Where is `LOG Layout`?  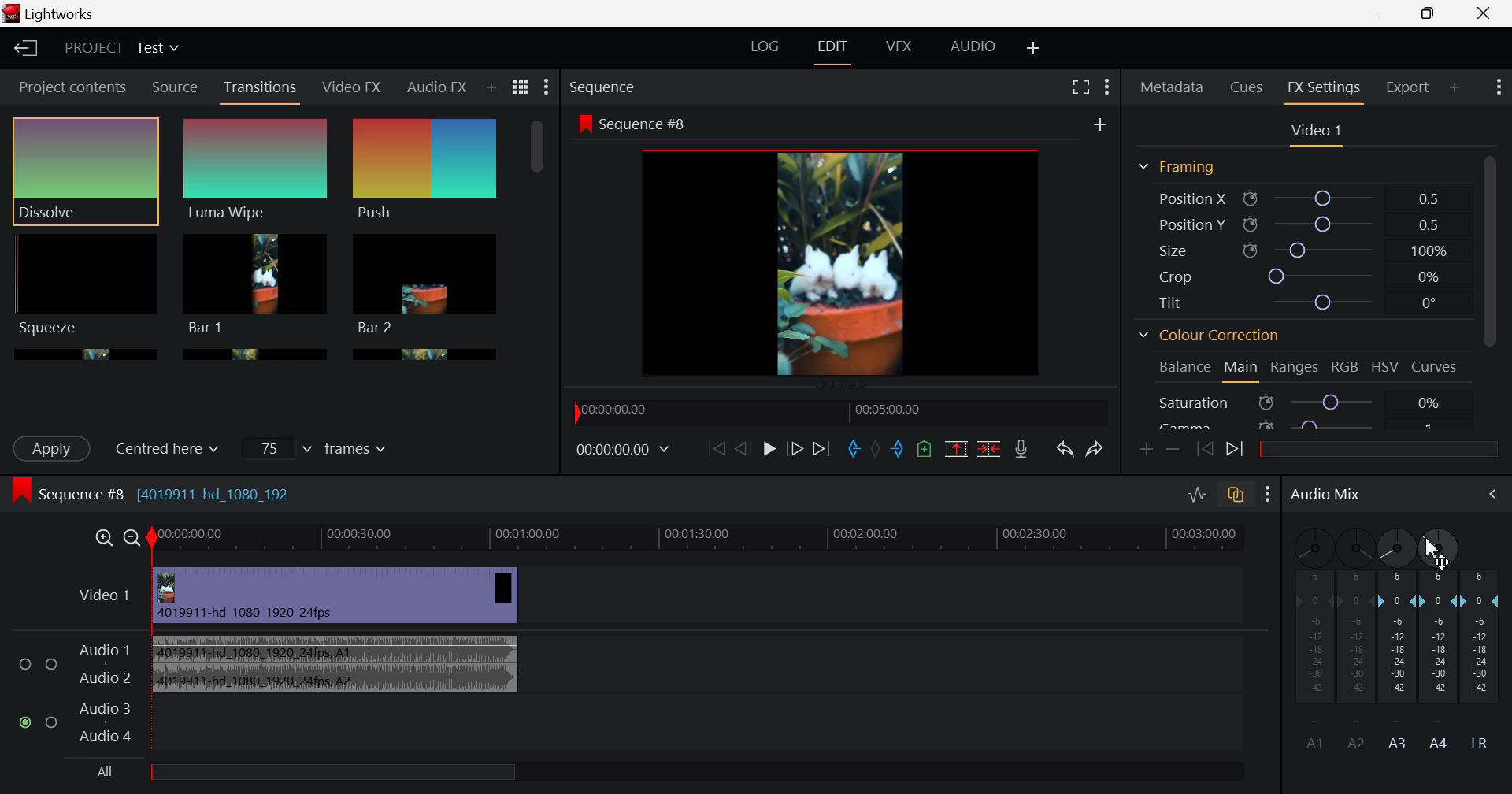 LOG Layout is located at coordinates (766, 46).